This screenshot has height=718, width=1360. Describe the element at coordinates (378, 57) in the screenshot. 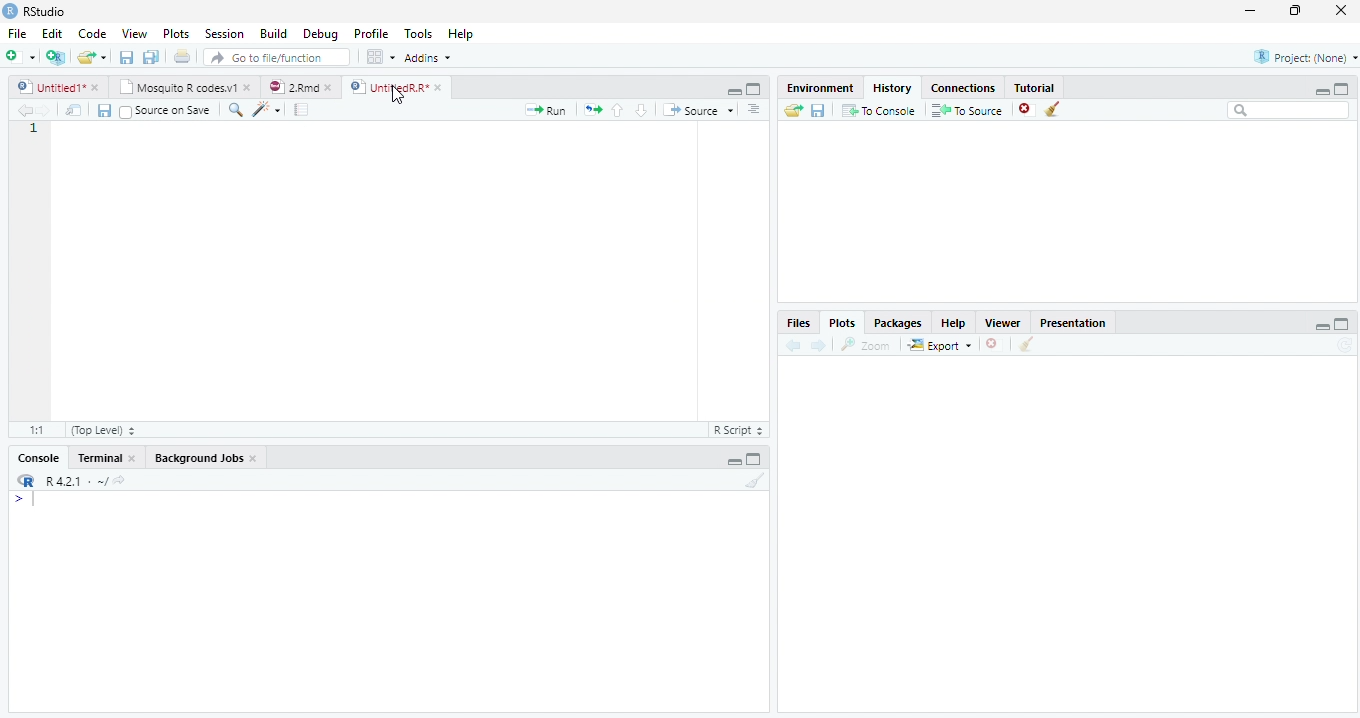

I see `Workspace panes` at that location.